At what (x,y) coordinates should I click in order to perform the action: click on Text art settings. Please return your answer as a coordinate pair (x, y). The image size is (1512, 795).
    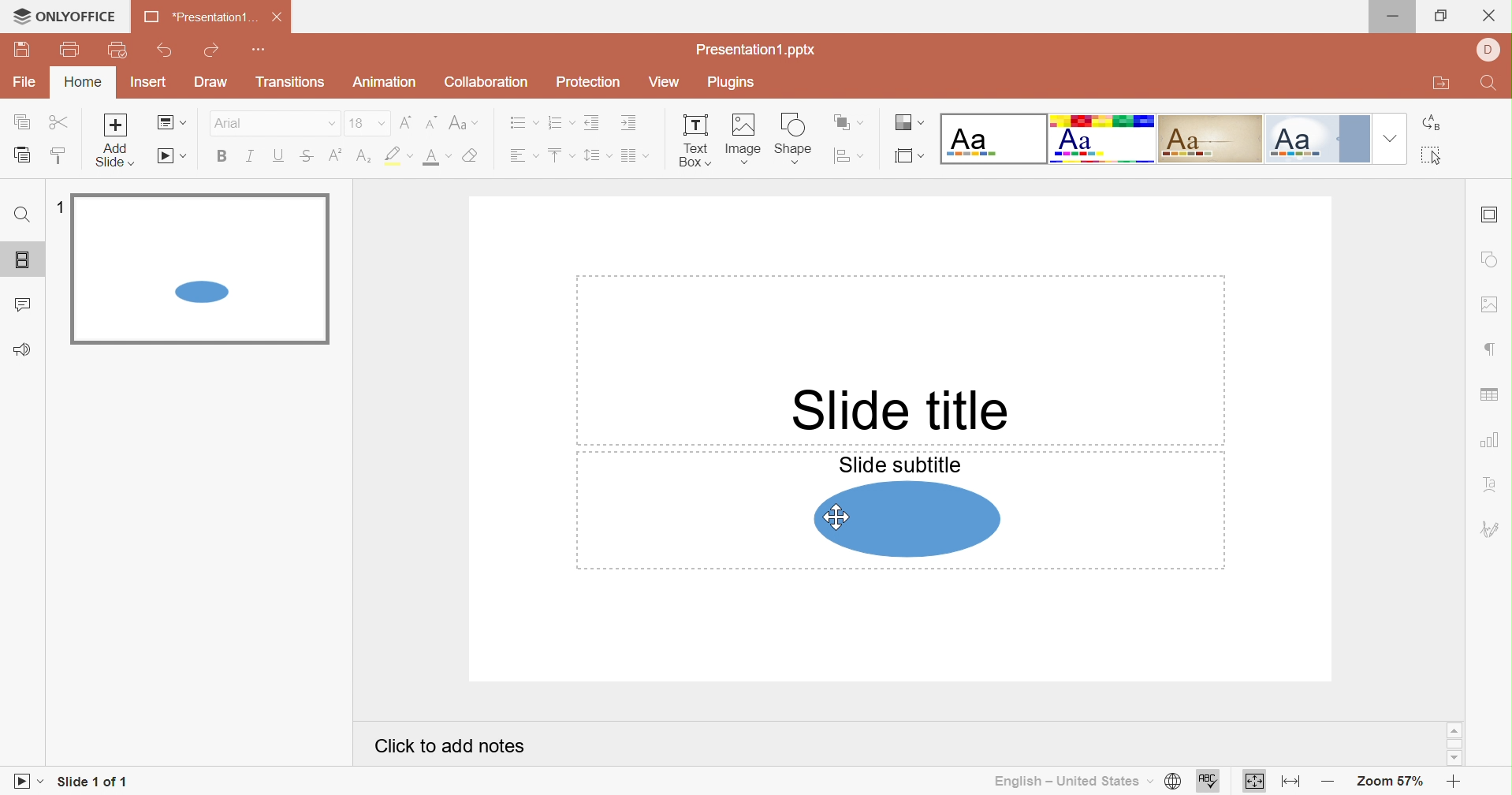
    Looking at the image, I should click on (1492, 483).